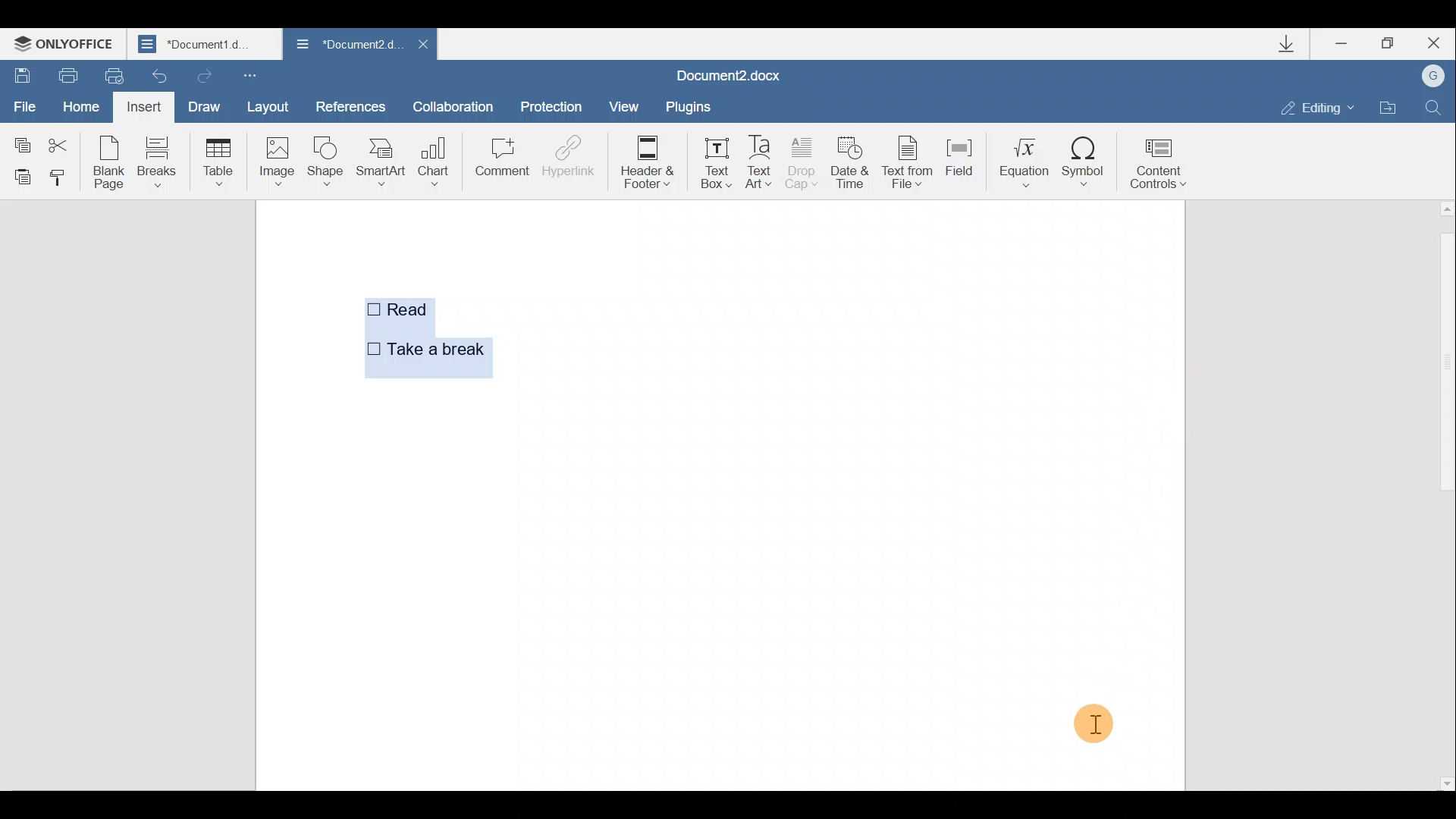  What do you see at coordinates (425, 312) in the screenshot?
I see `Read` at bounding box center [425, 312].